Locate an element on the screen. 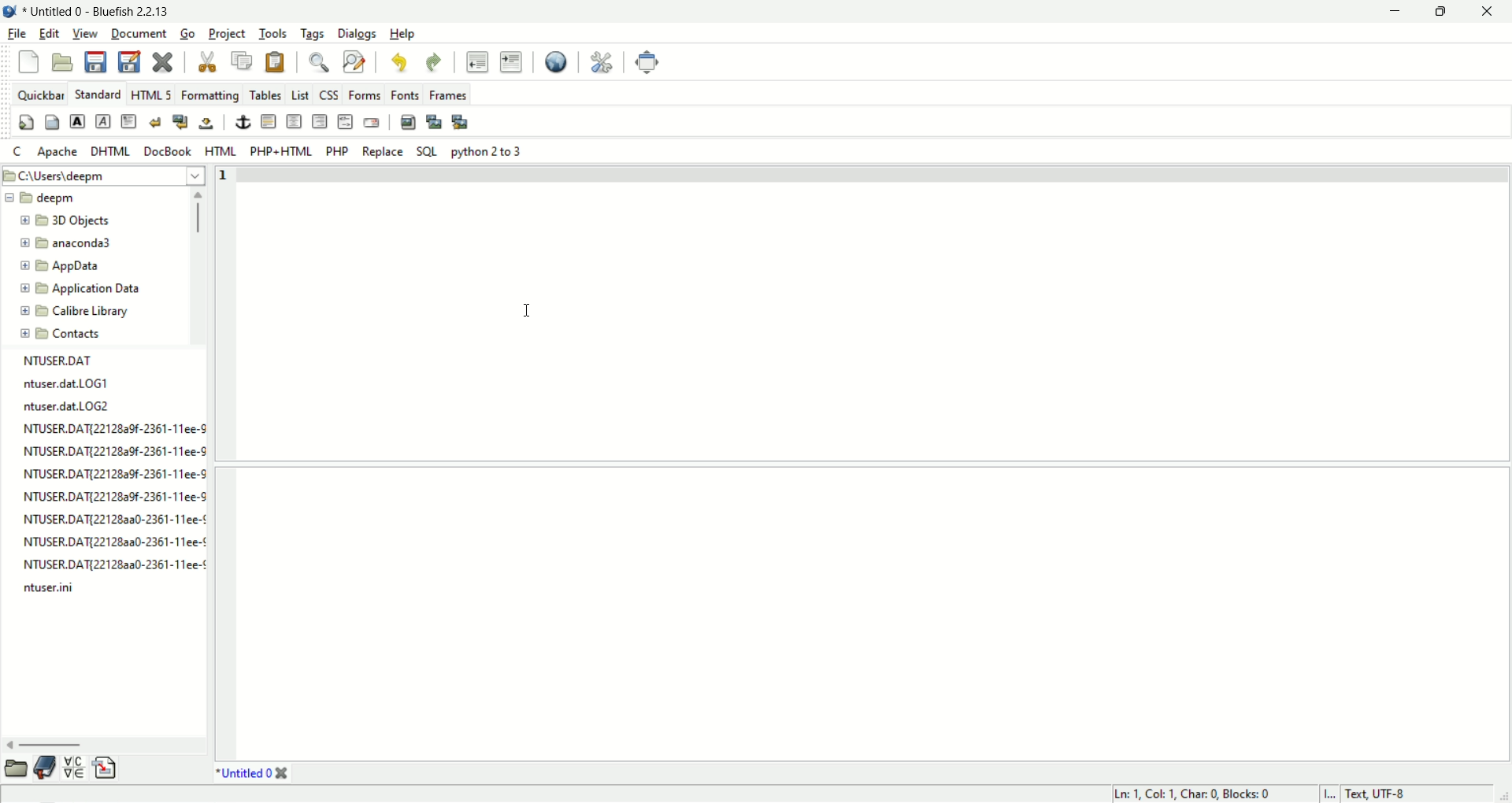 Image resolution: width=1512 pixels, height=803 pixels. folder name is located at coordinates (52, 198).